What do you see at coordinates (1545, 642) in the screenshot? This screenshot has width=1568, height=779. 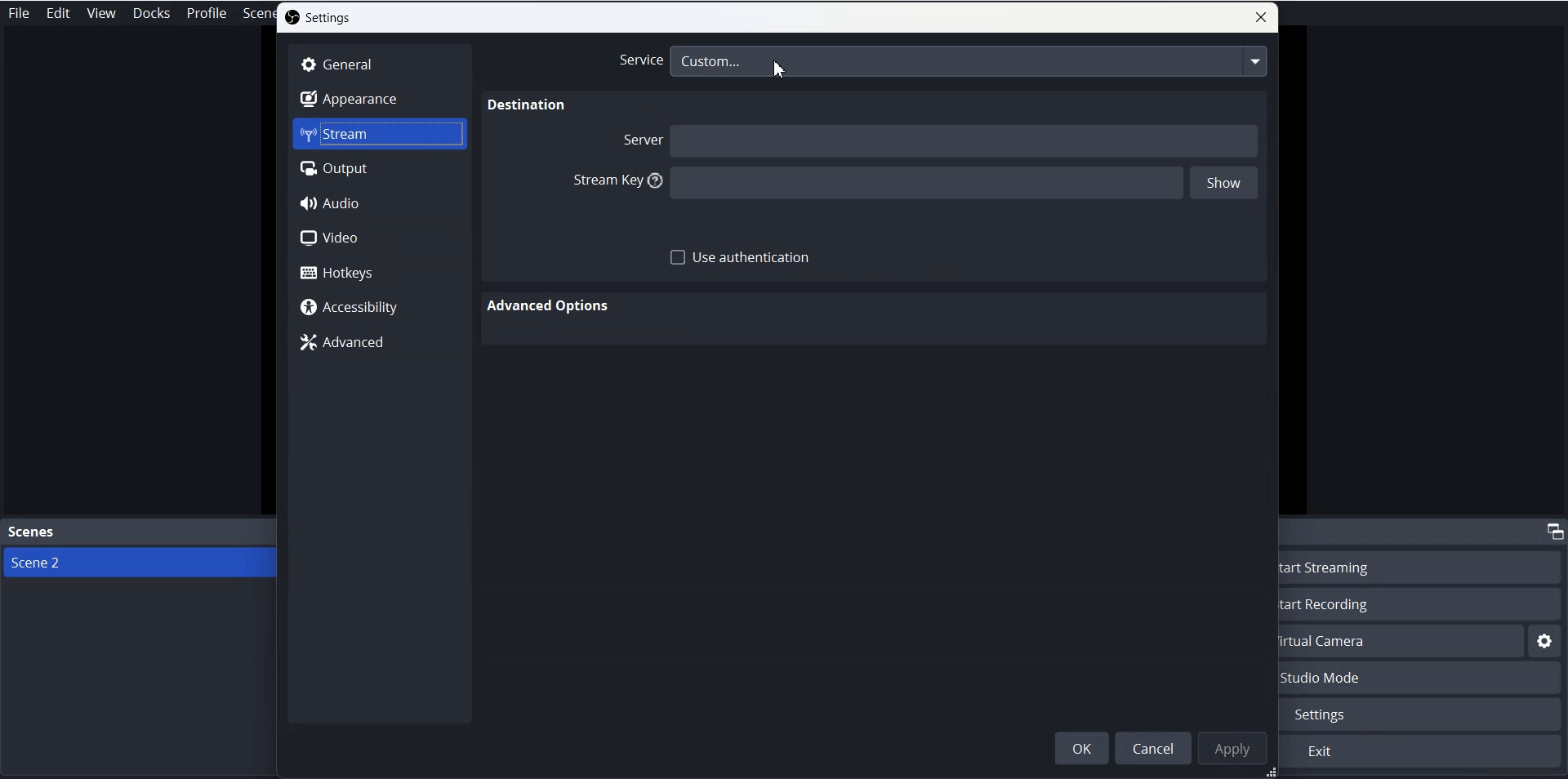 I see `settings` at bounding box center [1545, 642].